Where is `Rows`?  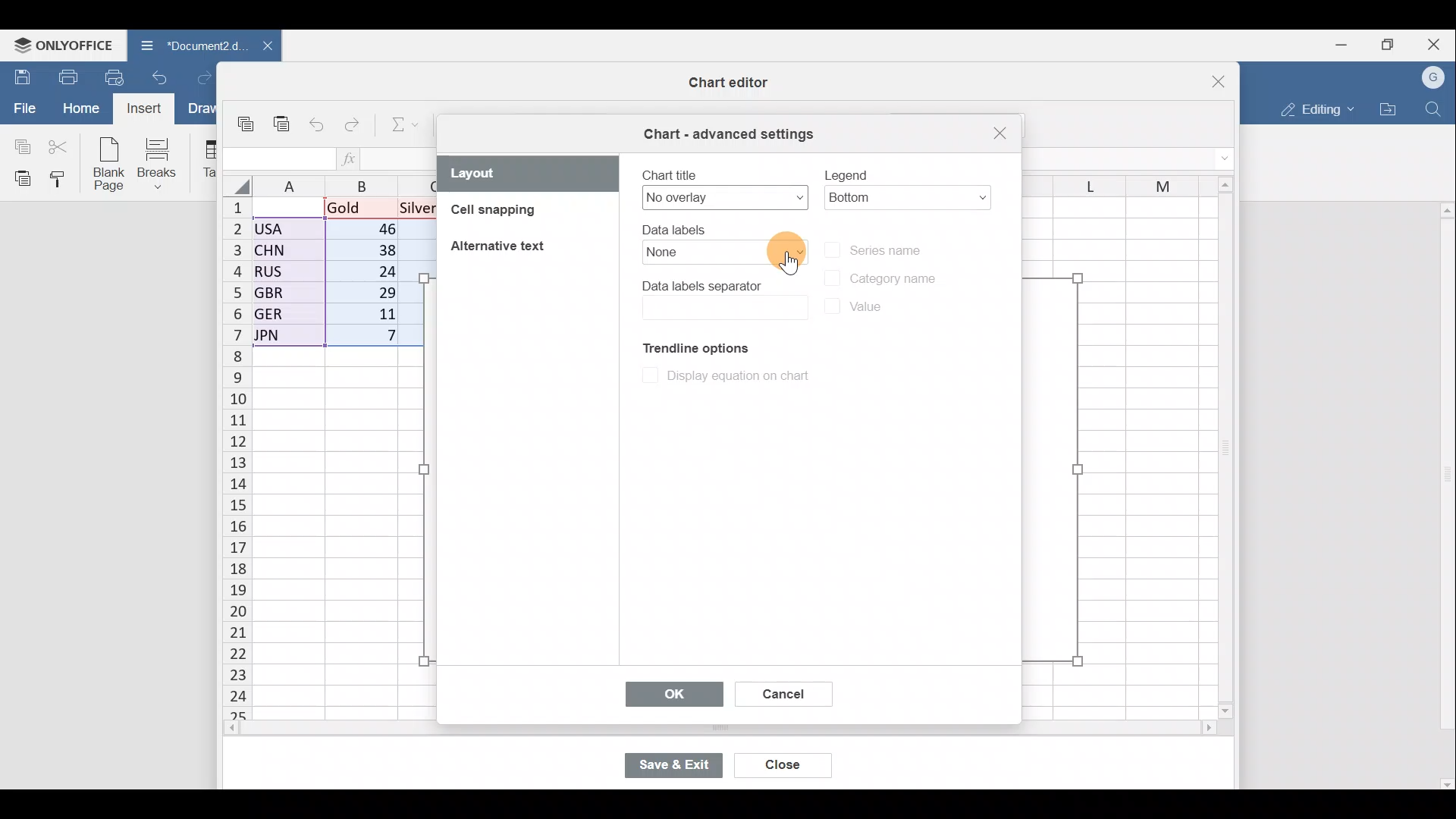
Rows is located at coordinates (237, 449).